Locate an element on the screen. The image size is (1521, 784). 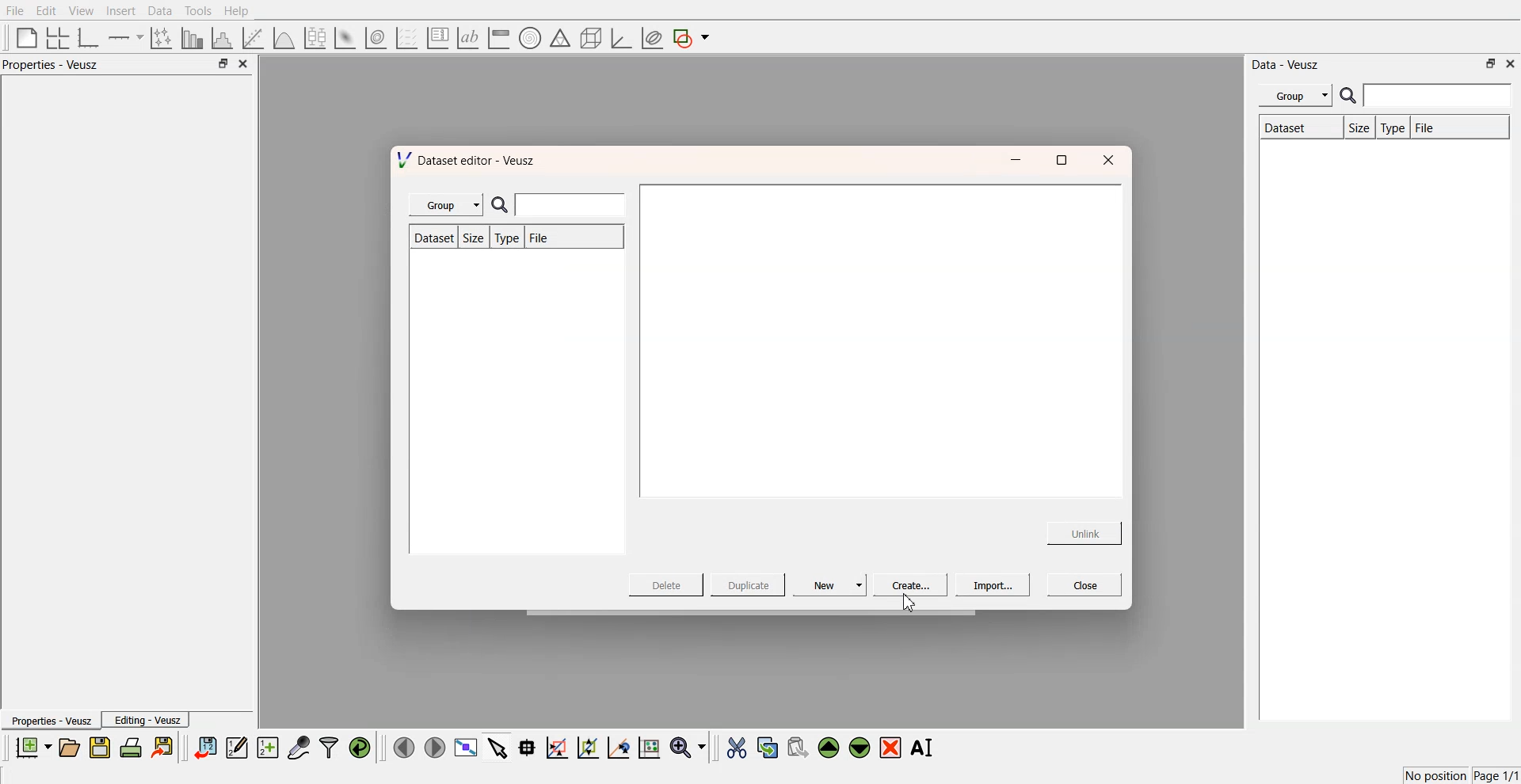
paste the selected widgets is located at coordinates (796, 747).